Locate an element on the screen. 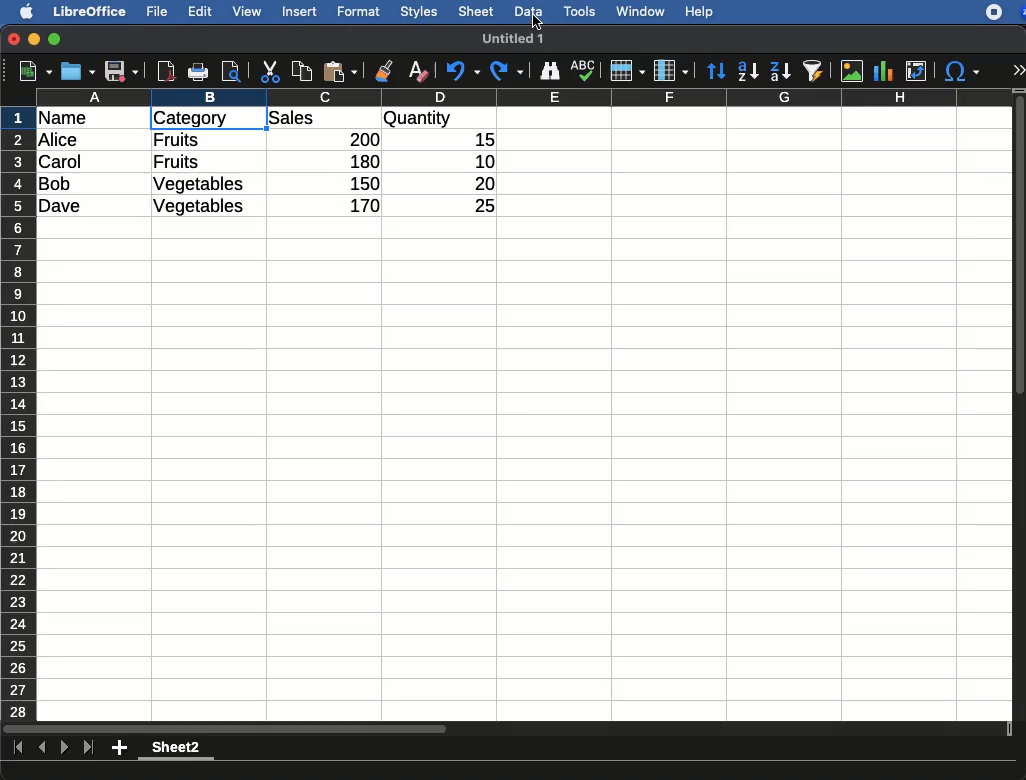 The height and width of the screenshot is (780, 1026). save is located at coordinates (122, 73).